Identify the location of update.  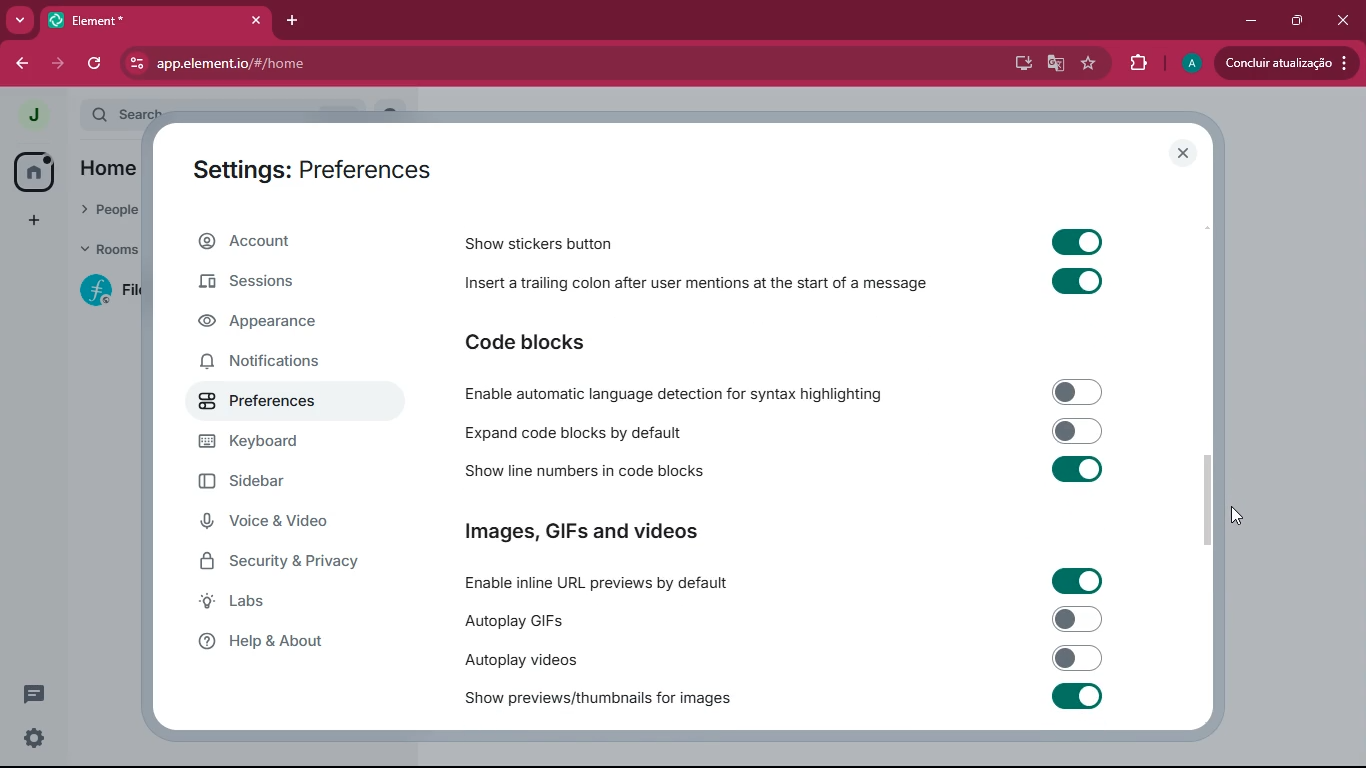
(1284, 62).